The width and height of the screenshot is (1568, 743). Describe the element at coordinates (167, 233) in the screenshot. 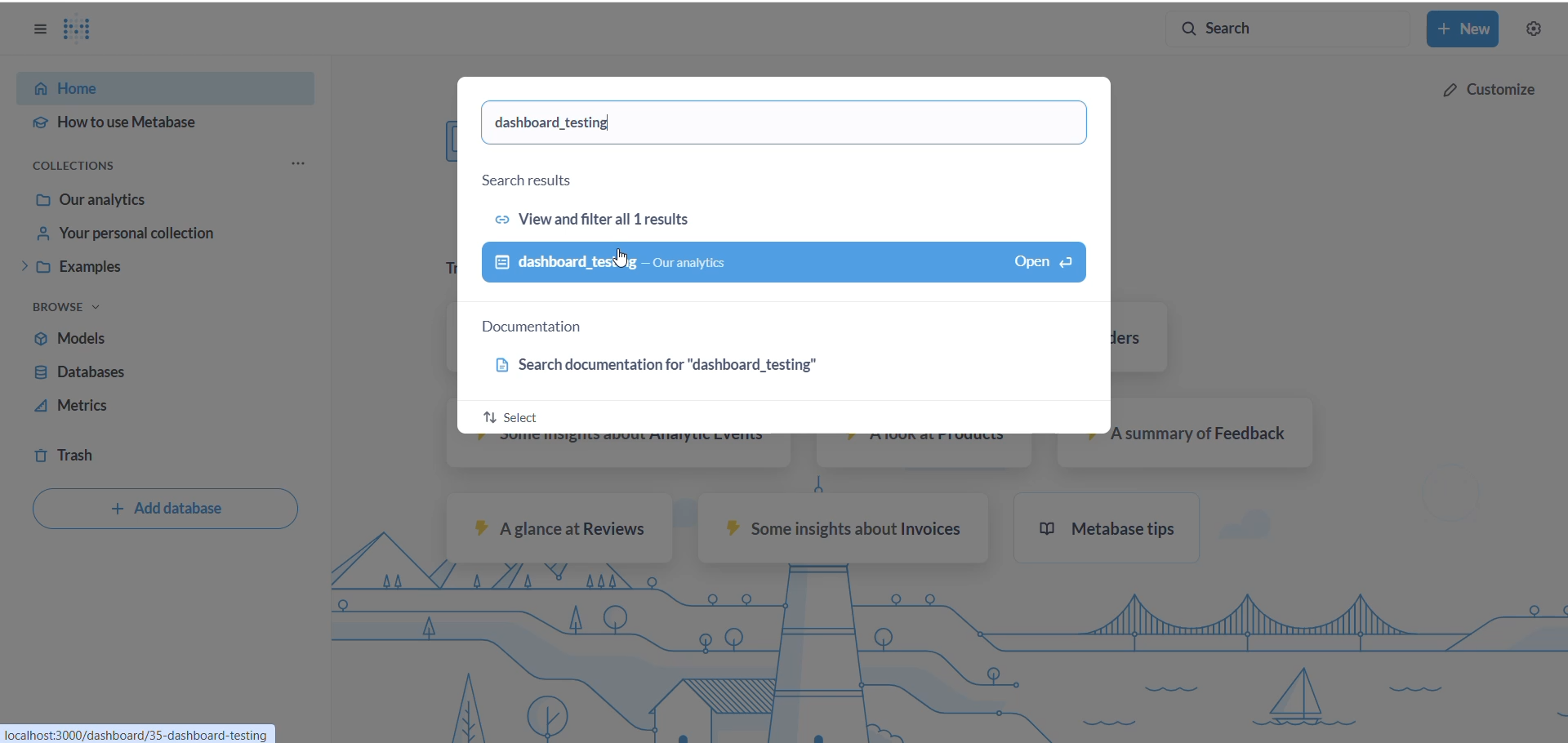

I see `your personal collection` at that location.